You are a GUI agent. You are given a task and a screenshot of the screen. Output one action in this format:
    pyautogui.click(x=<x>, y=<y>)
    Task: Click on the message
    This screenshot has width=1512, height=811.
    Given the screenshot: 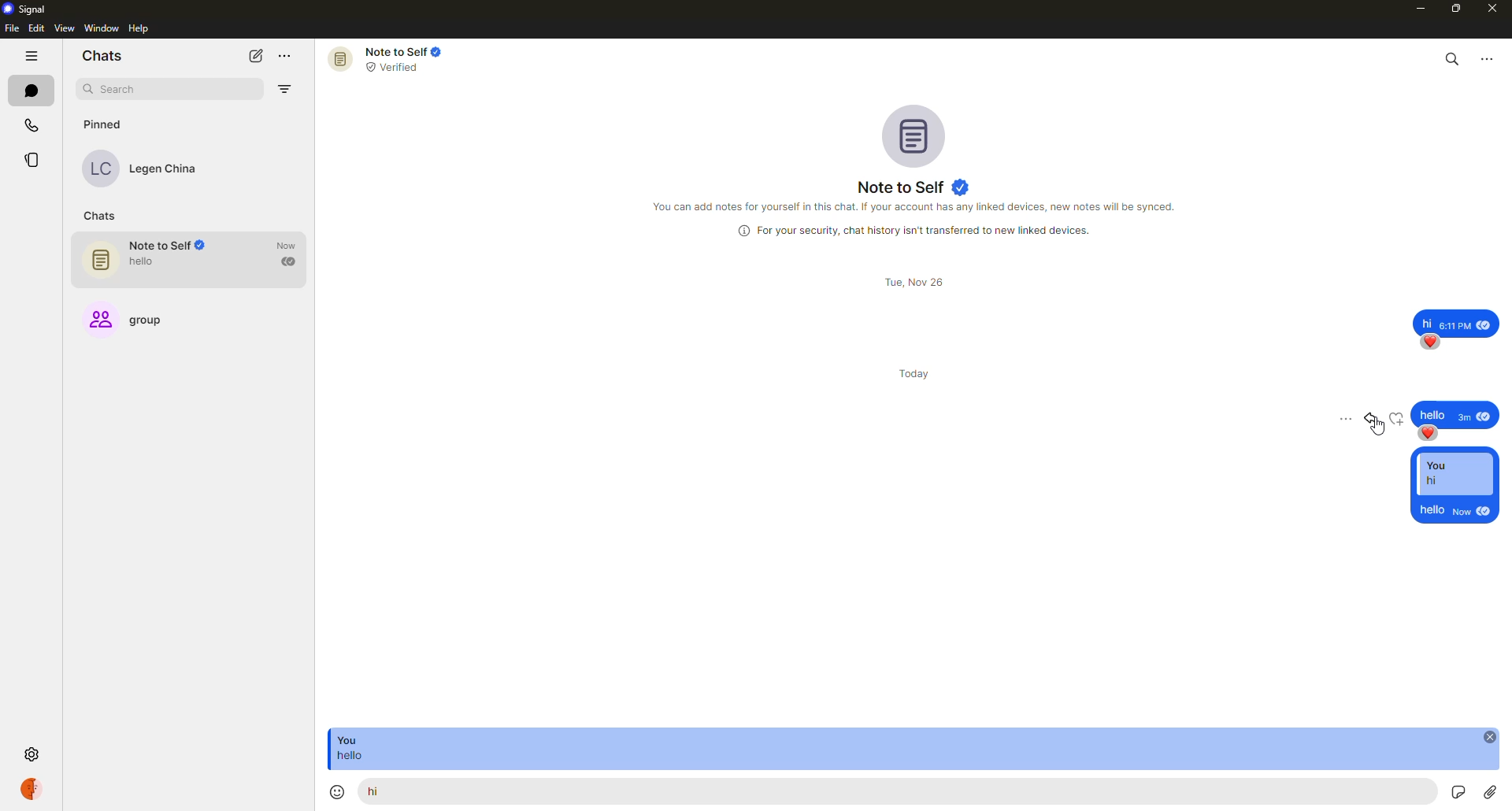 What is the action you would take?
    pyautogui.click(x=1457, y=321)
    